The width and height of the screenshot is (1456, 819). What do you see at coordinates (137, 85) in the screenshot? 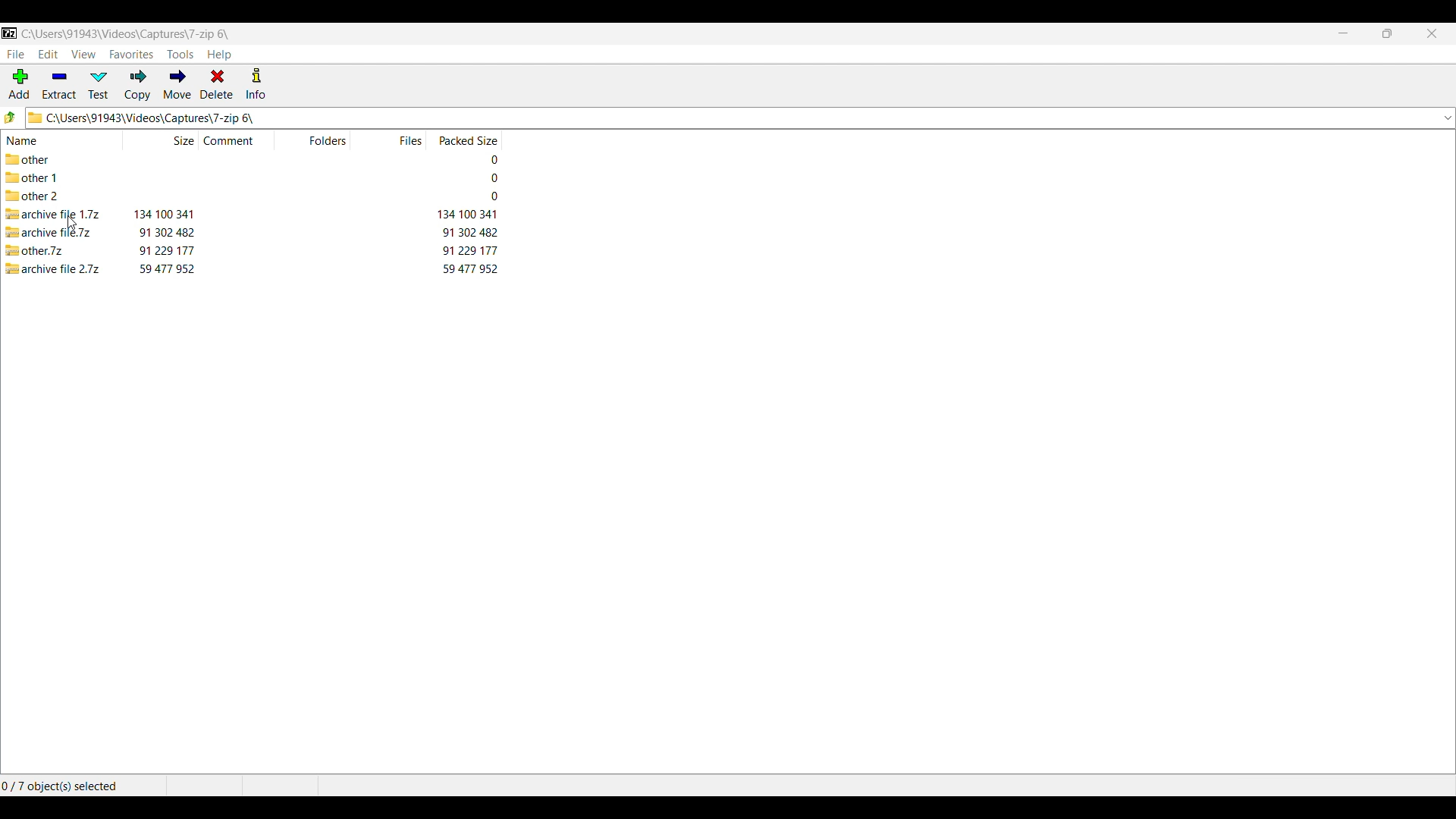
I see `Copy` at bounding box center [137, 85].